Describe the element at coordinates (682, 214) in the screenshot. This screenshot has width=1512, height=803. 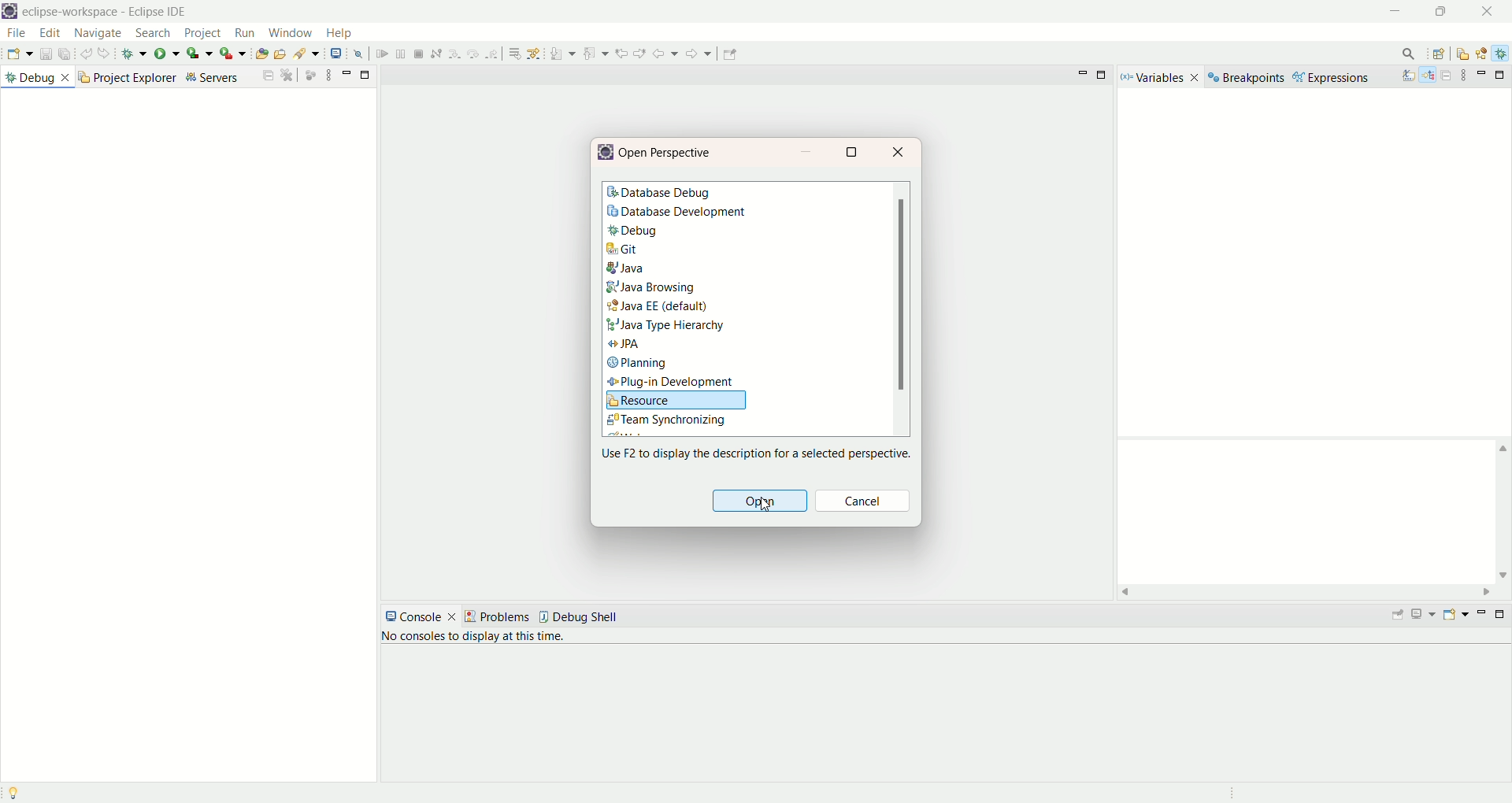
I see `database development` at that location.